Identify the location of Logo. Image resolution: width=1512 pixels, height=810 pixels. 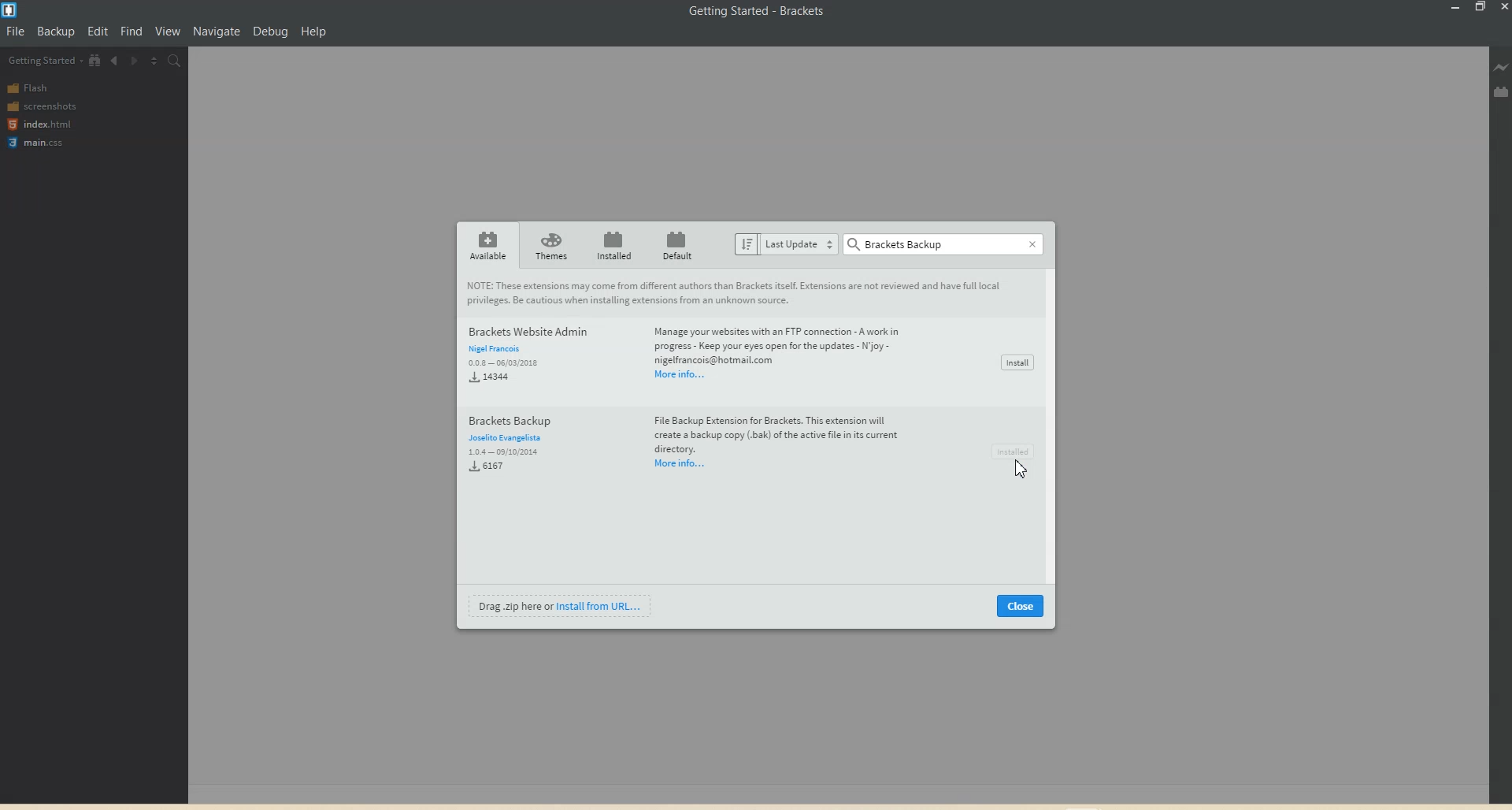
(12, 10).